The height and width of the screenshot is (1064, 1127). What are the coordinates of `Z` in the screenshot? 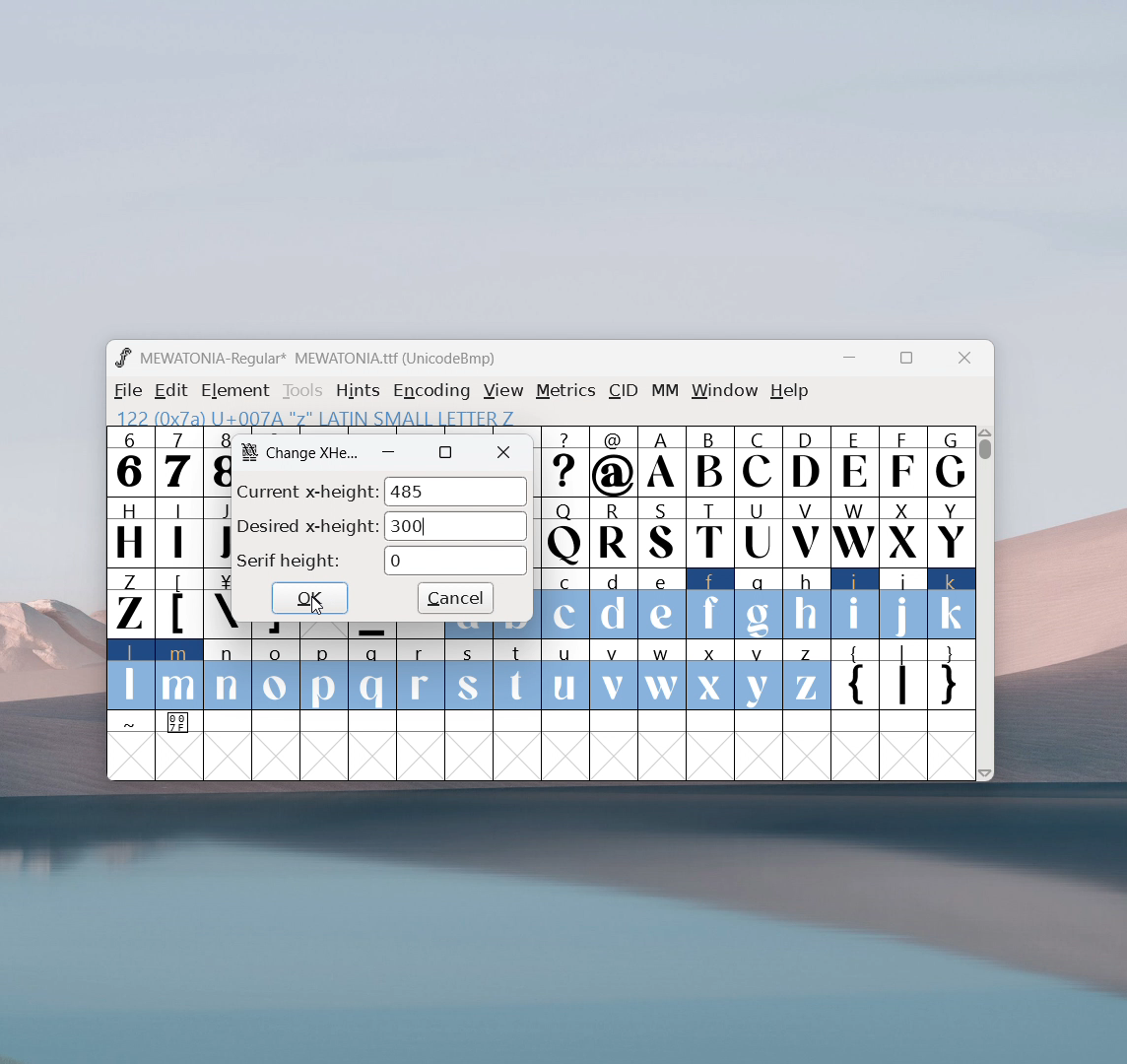 It's located at (129, 602).